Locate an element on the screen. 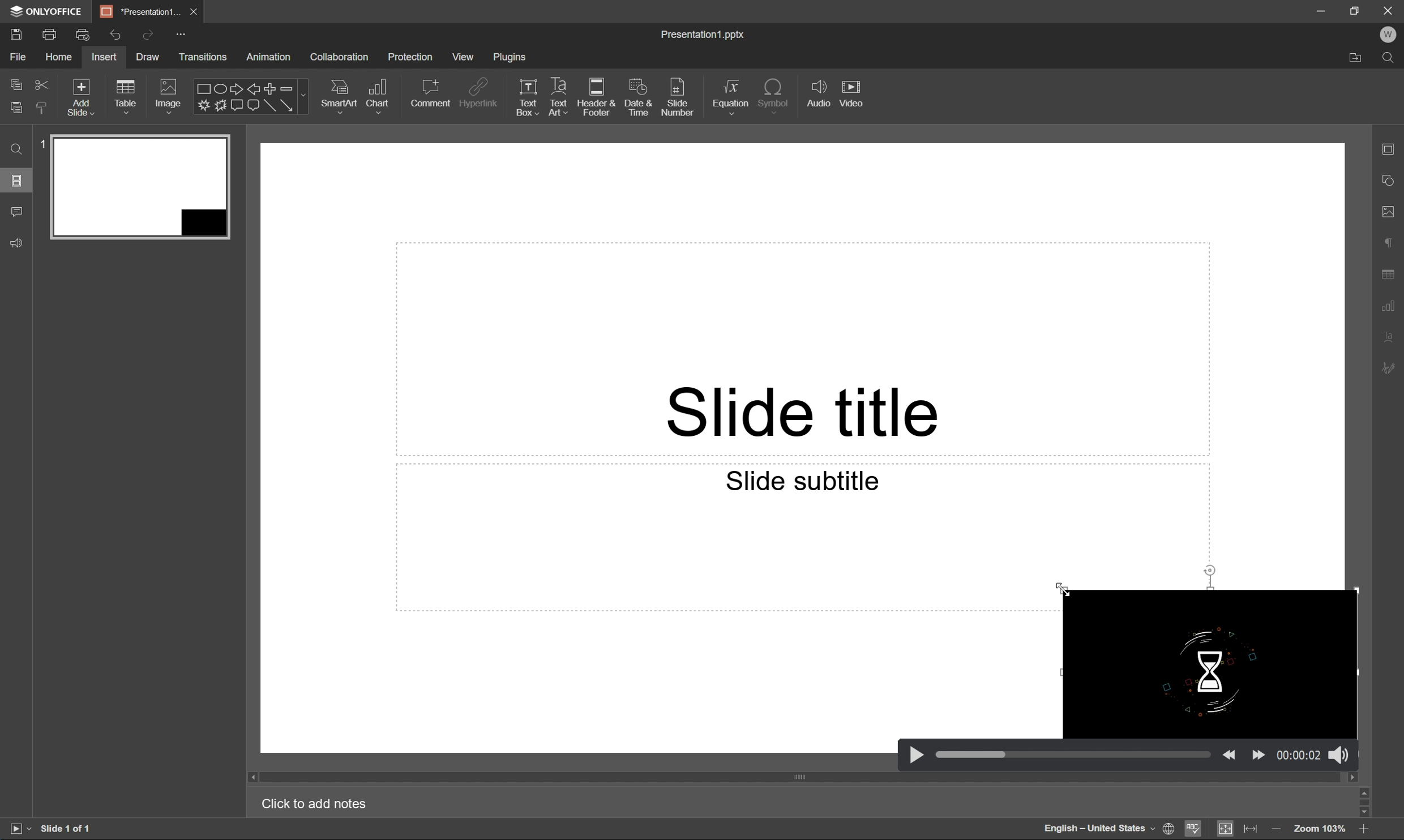  fit to width is located at coordinates (1249, 827).